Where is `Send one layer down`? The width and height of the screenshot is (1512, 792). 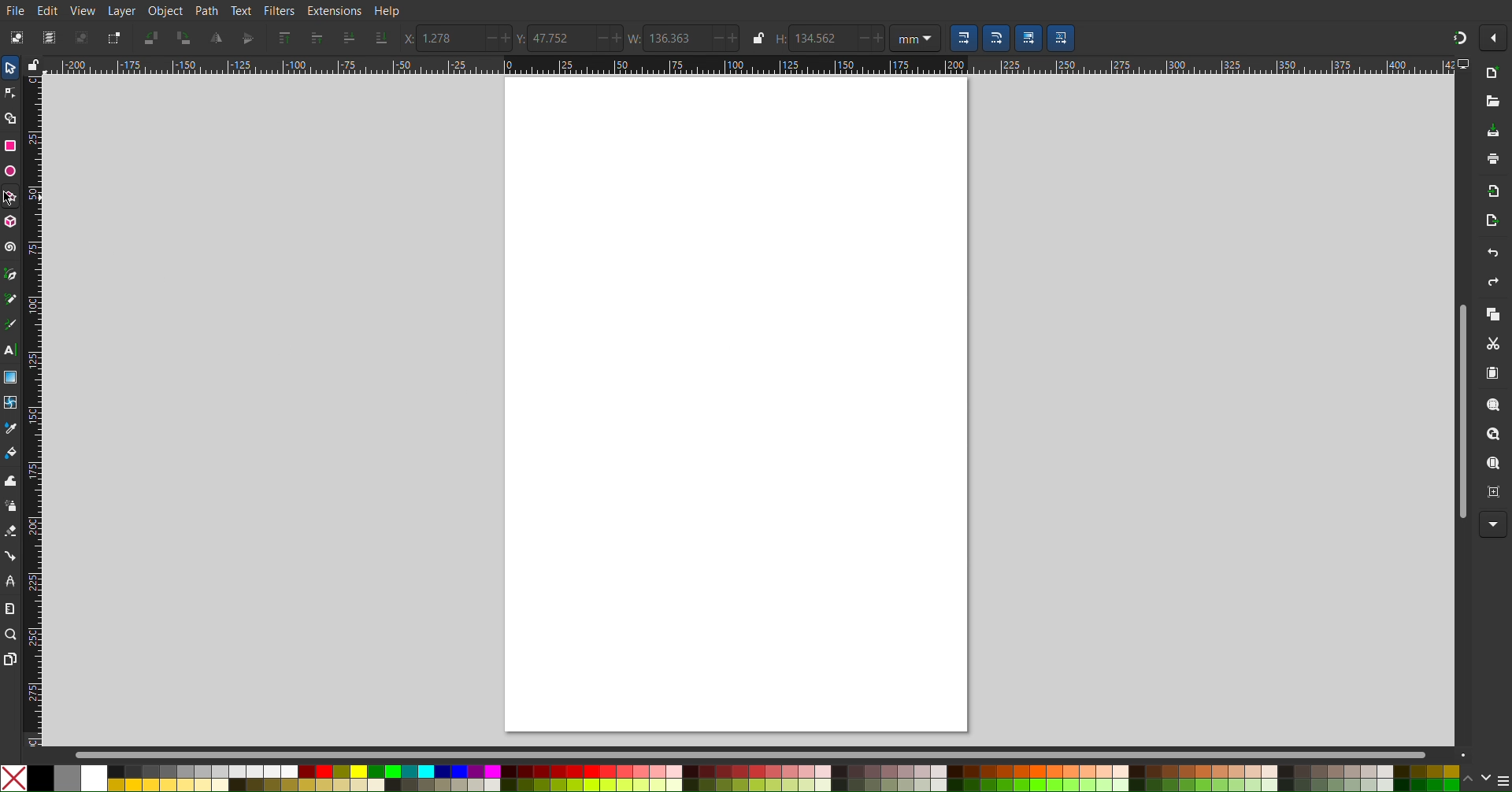 Send one layer down is located at coordinates (350, 39).